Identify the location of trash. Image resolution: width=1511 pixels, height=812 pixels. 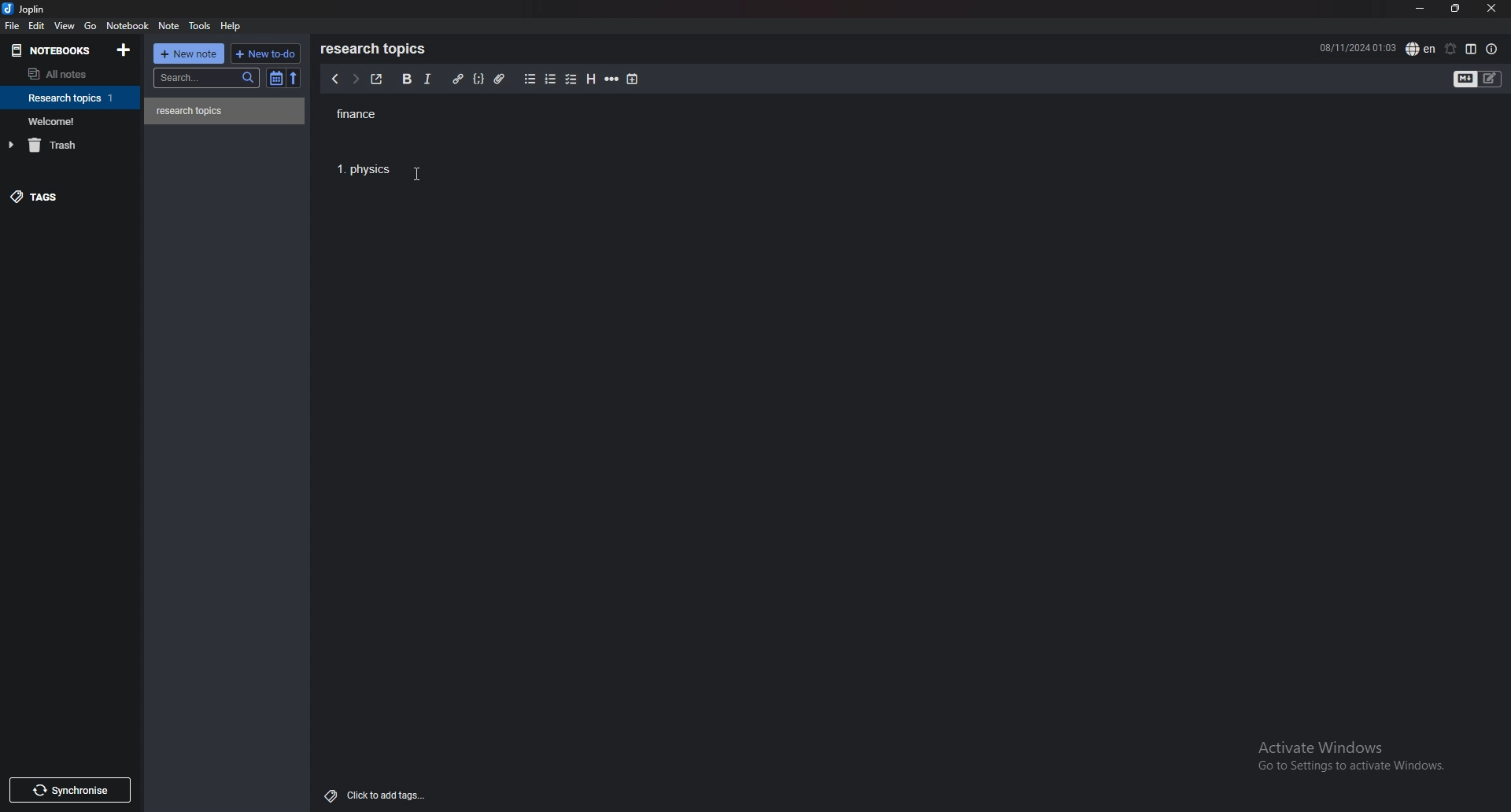
(73, 145).